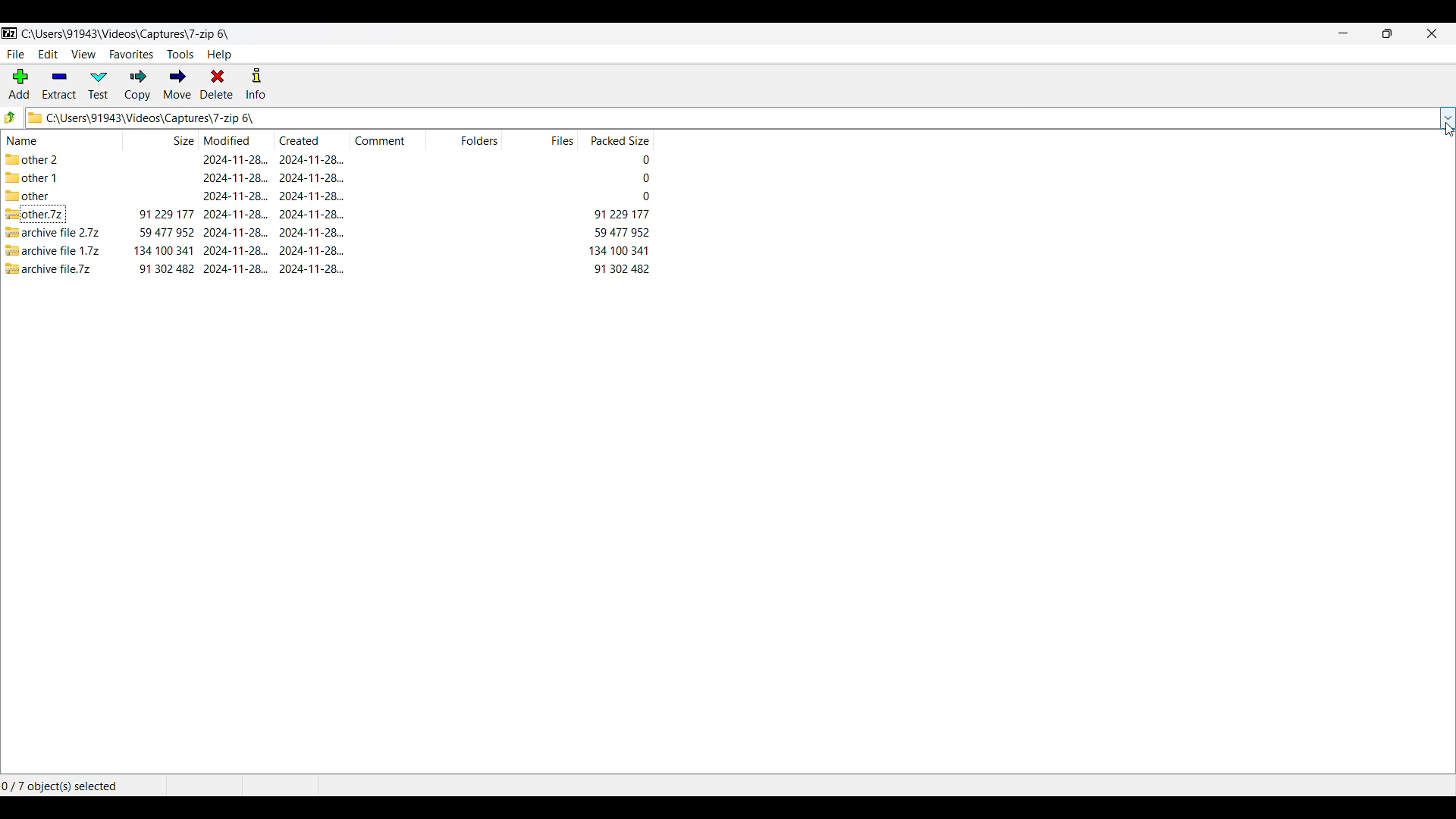  I want to click on Size column, so click(162, 139).